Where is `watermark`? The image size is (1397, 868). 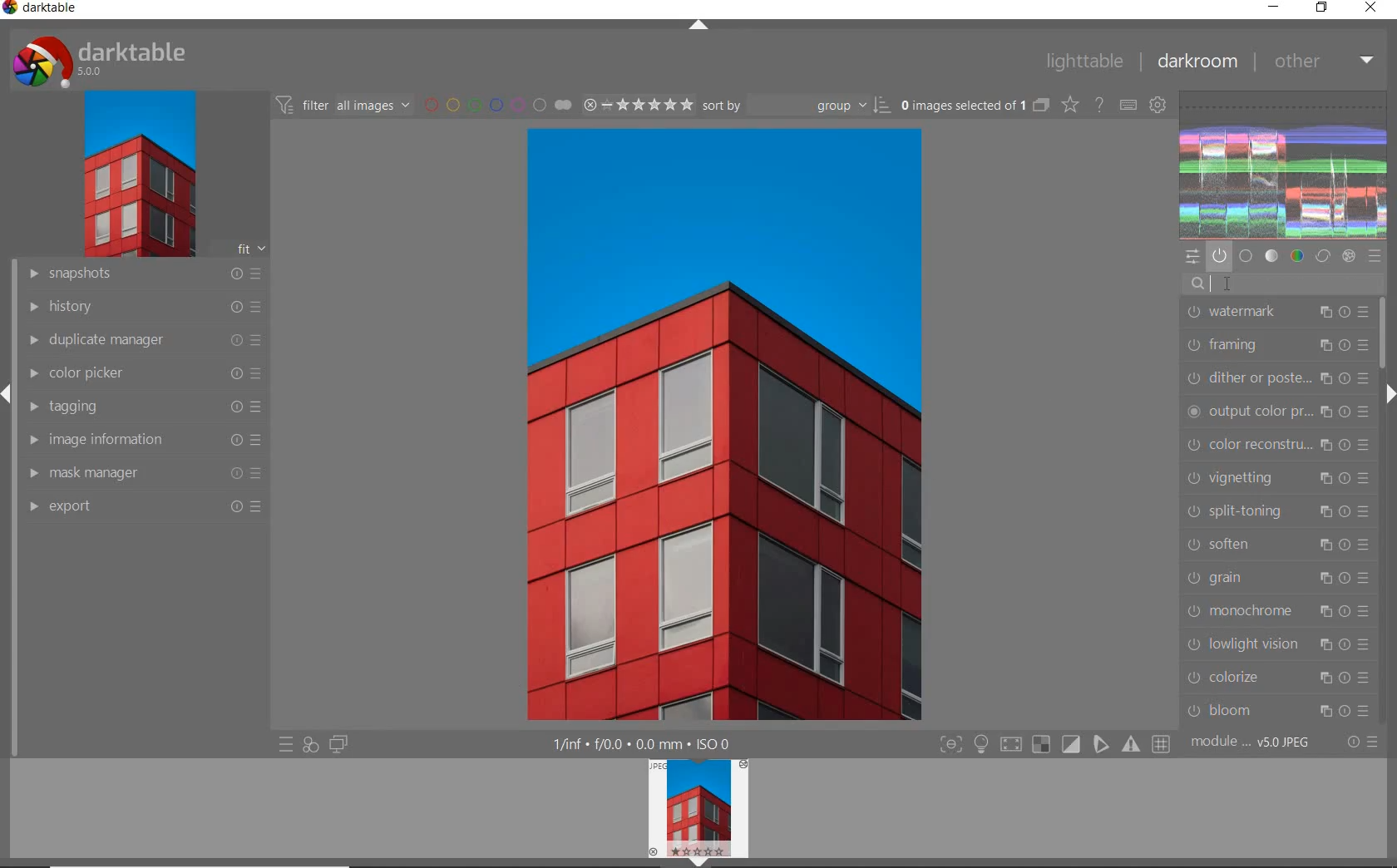
watermark is located at coordinates (1278, 313).